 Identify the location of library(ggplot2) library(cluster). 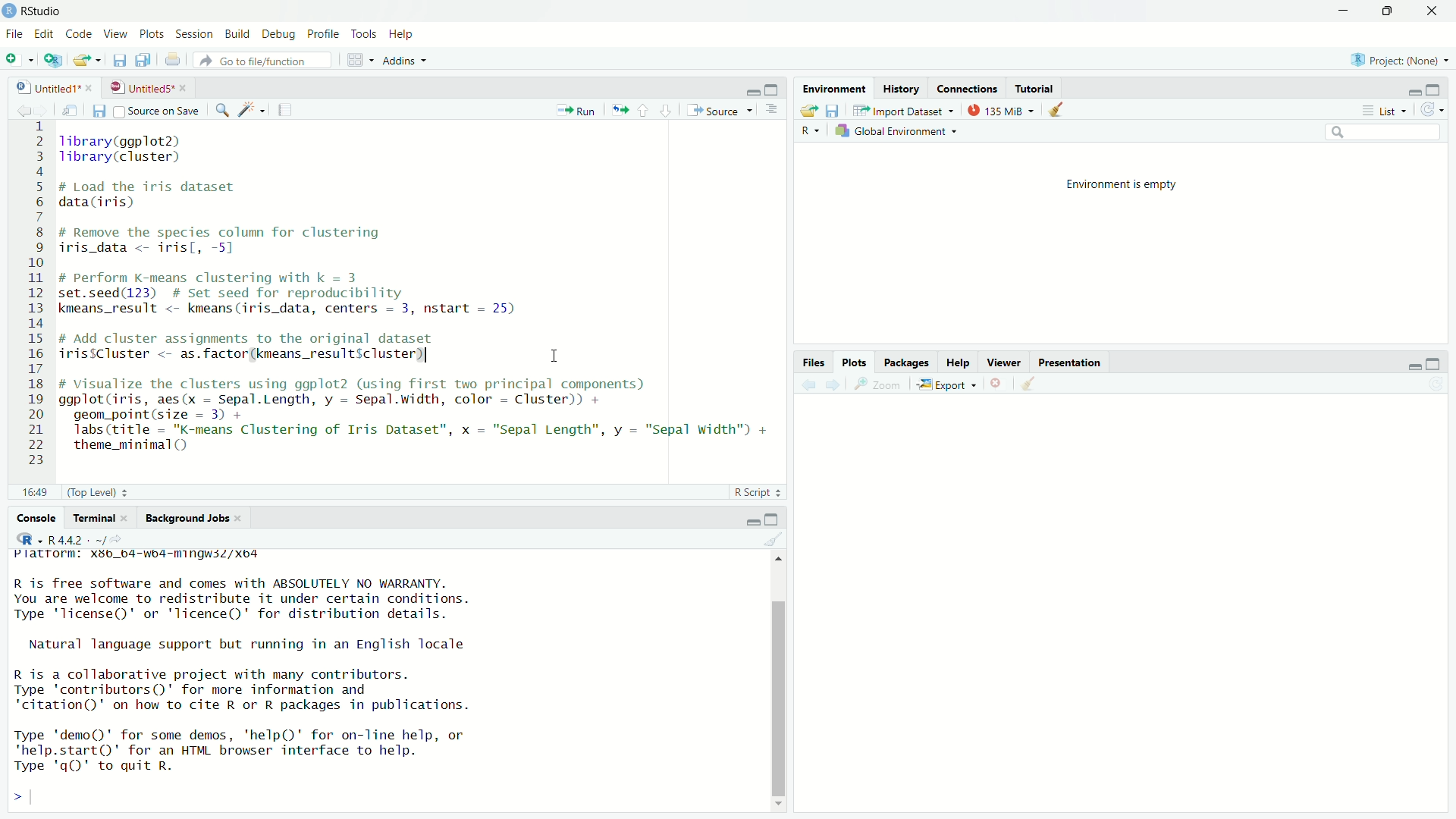
(148, 149).